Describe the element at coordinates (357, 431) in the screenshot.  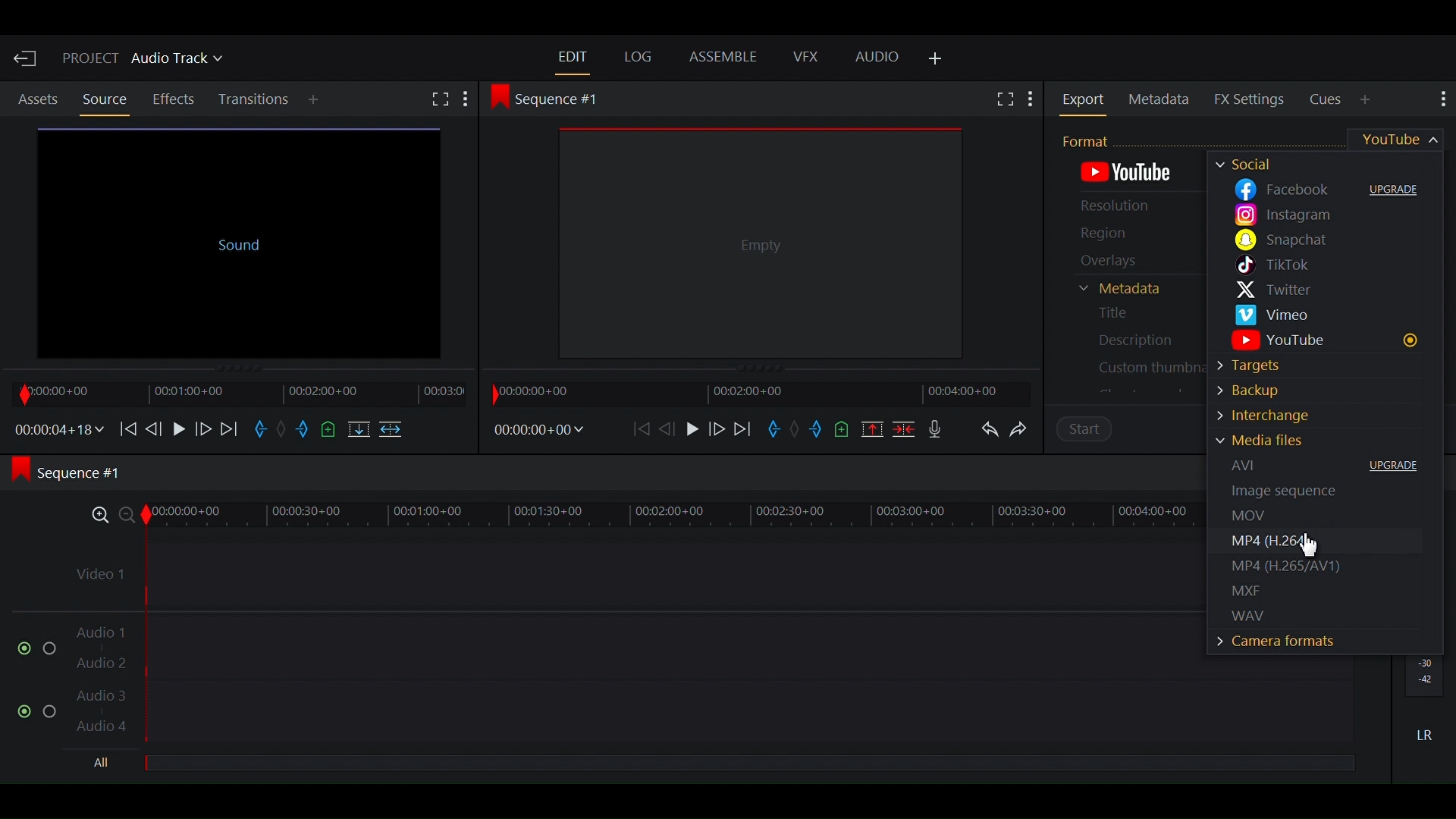
I see `Replace into the target sequence` at that location.